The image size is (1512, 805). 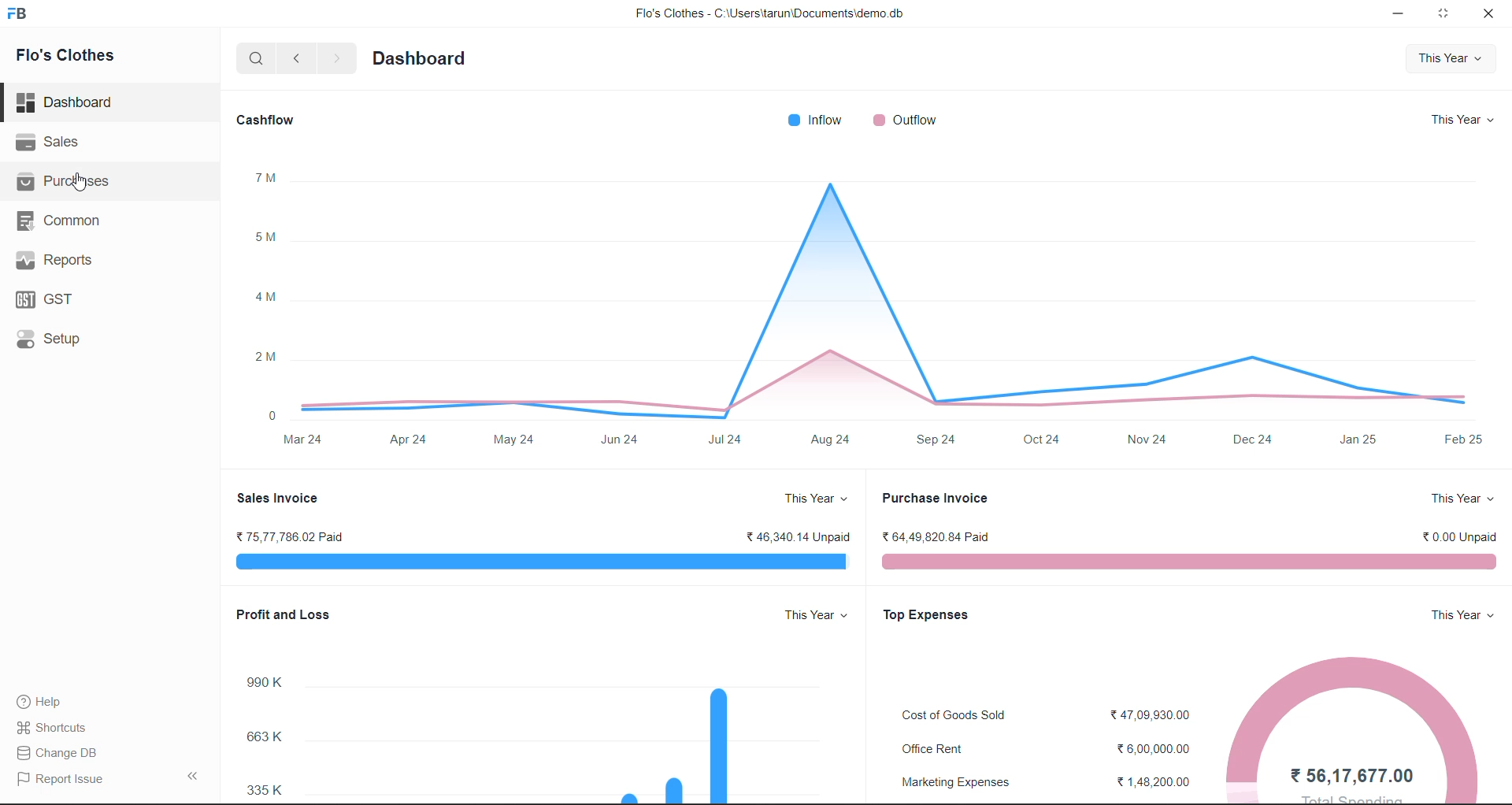 What do you see at coordinates (1047, 783) in the screenshot?
I see `Marketing Expenses ₹1,48,200.00` at bounding box center [1047, 783].